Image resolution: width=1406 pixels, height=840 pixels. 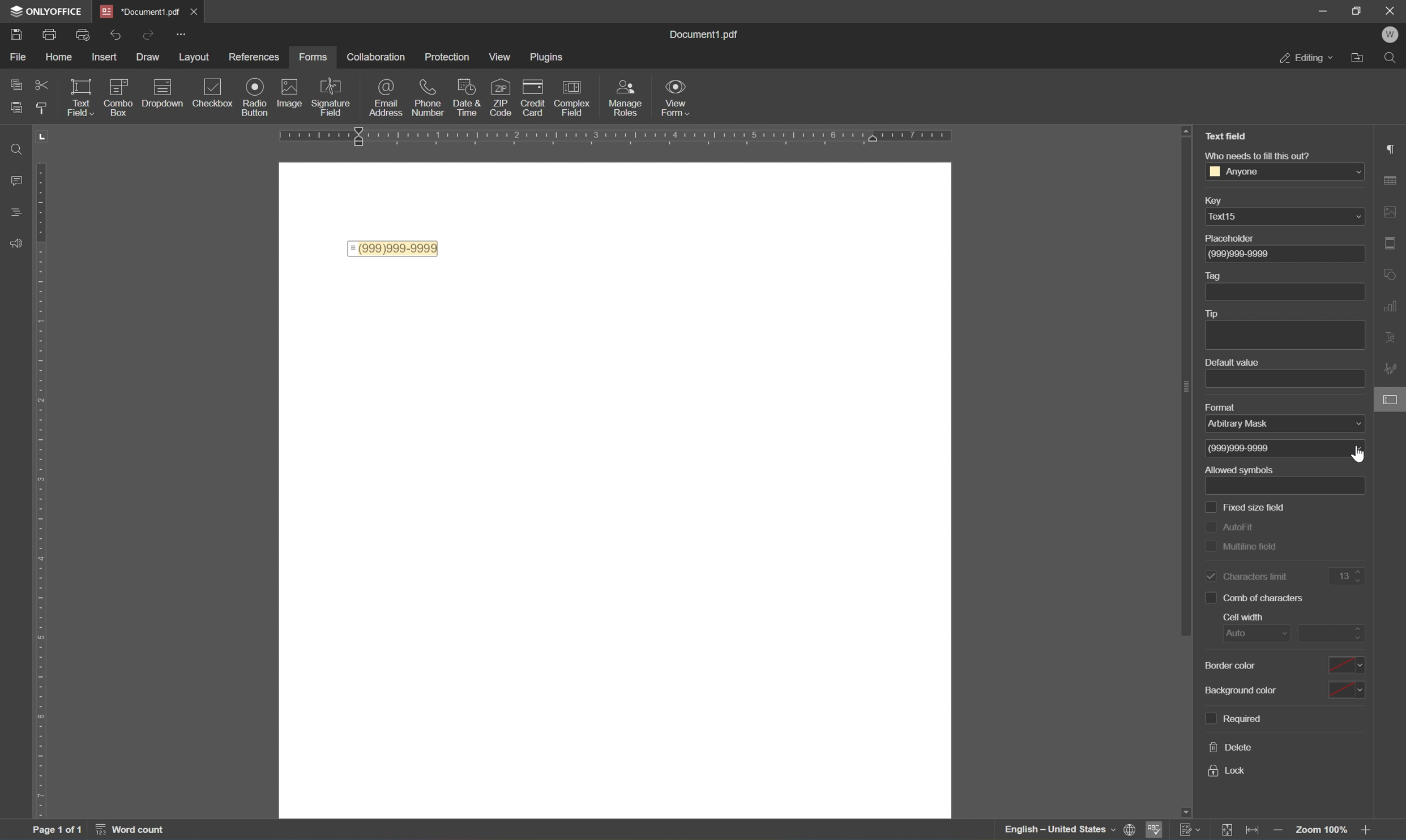 I want to click on default value, so click(x=1235, y=362).